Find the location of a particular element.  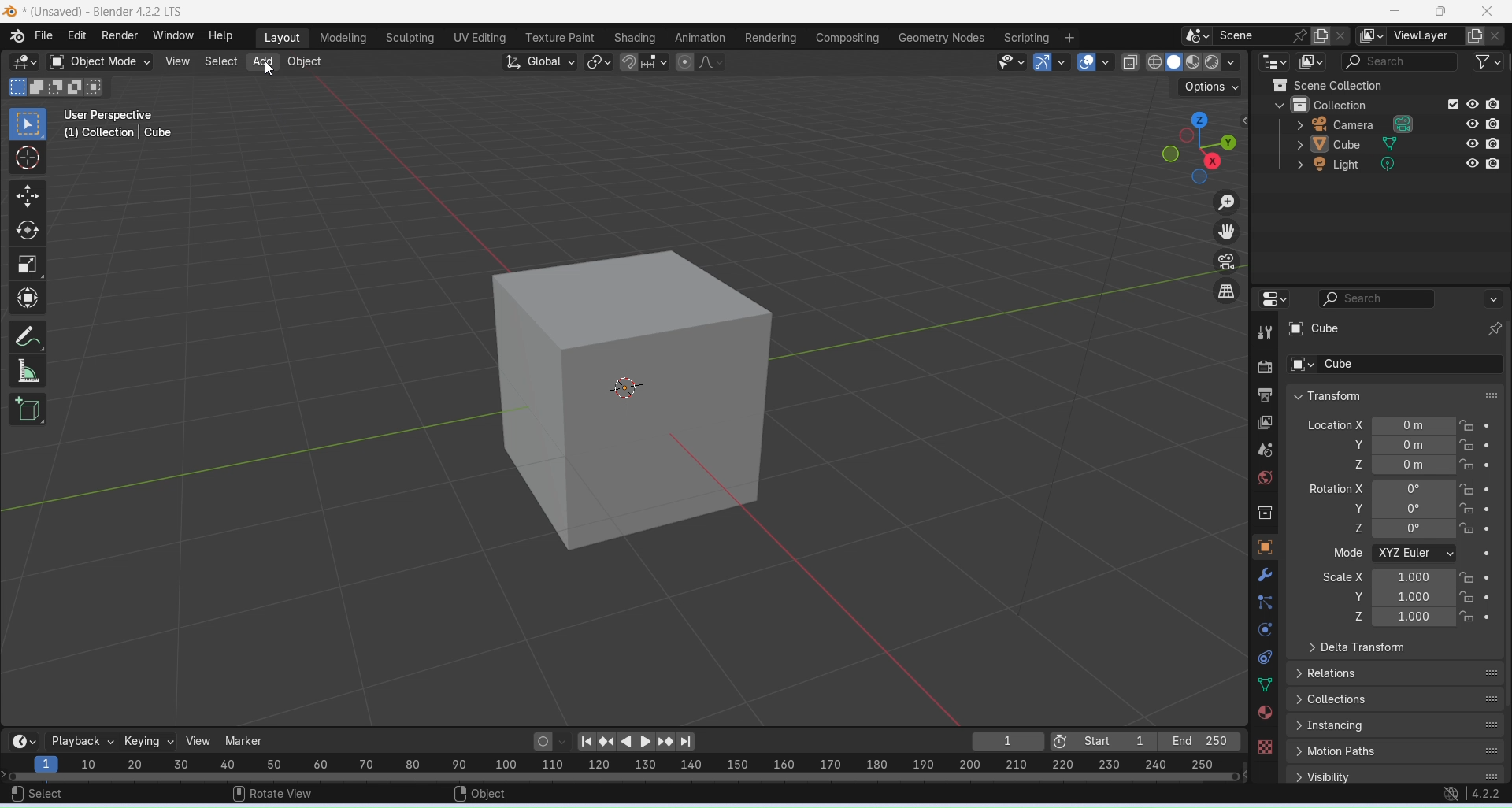

Y axis is located at coordinates (1434, 509).